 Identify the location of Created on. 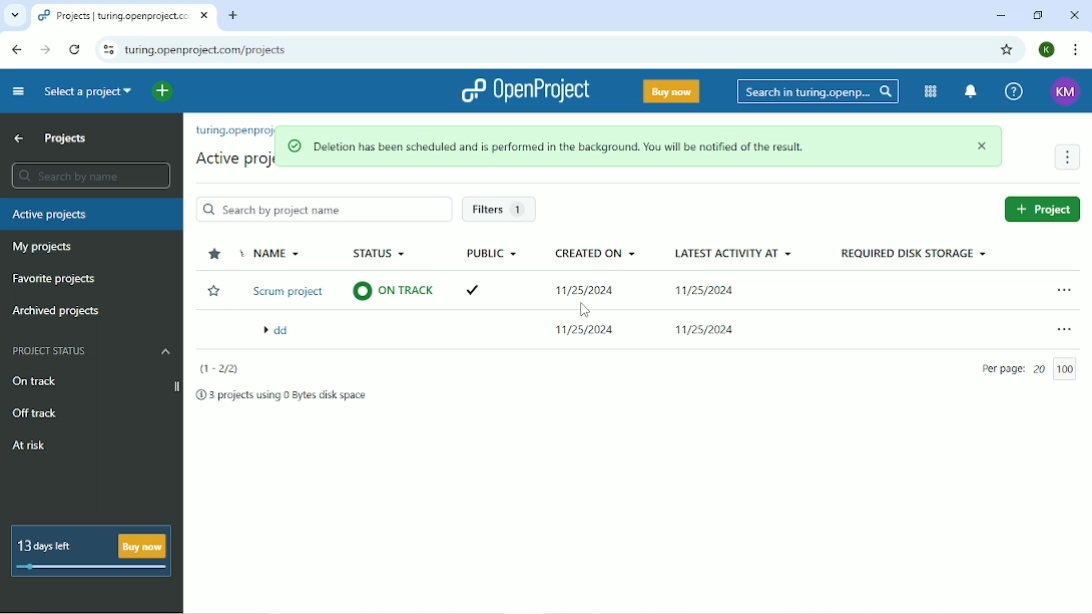
(597, 254).